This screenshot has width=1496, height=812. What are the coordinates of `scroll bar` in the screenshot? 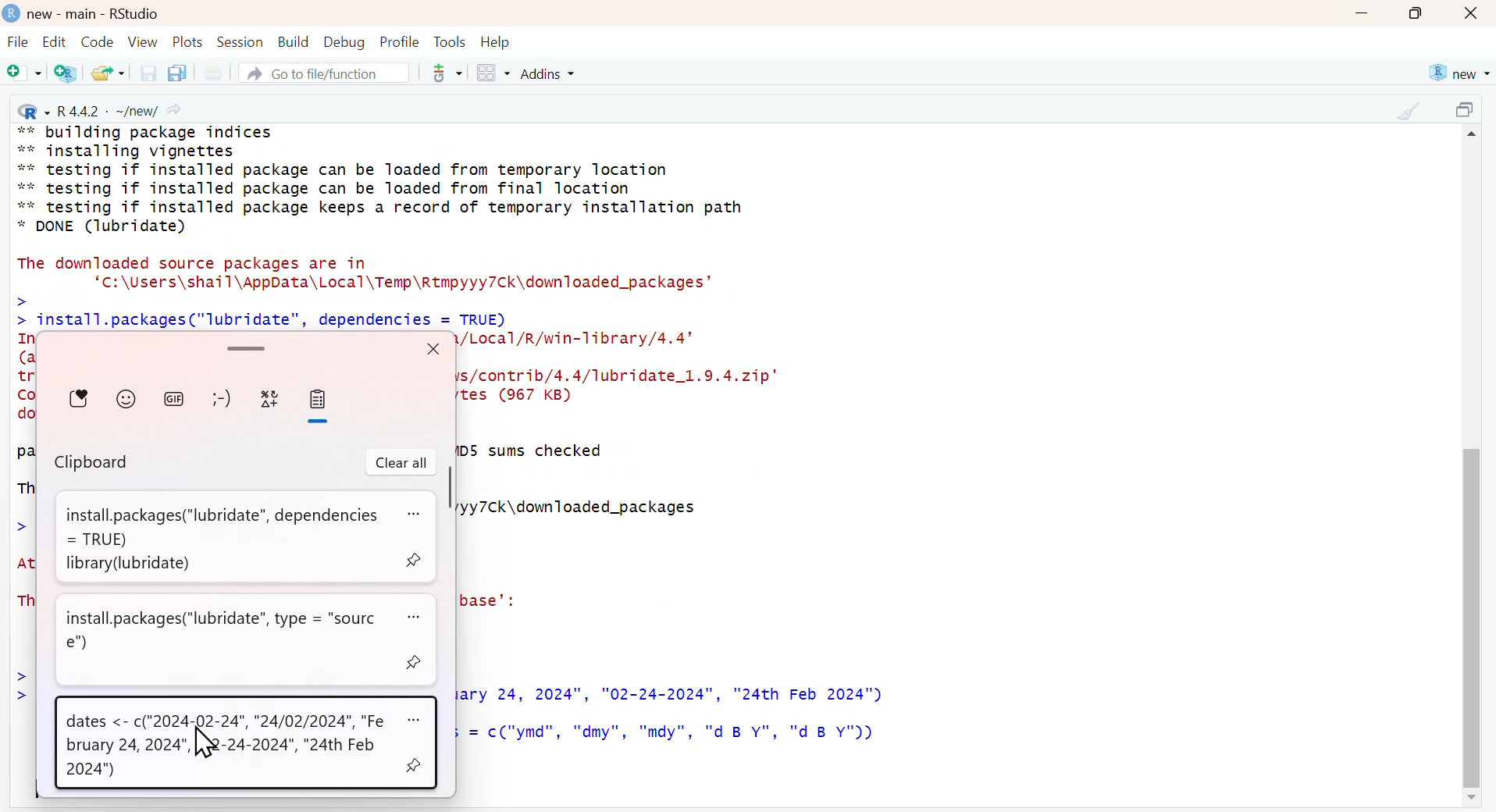 It's located at (448, 488).